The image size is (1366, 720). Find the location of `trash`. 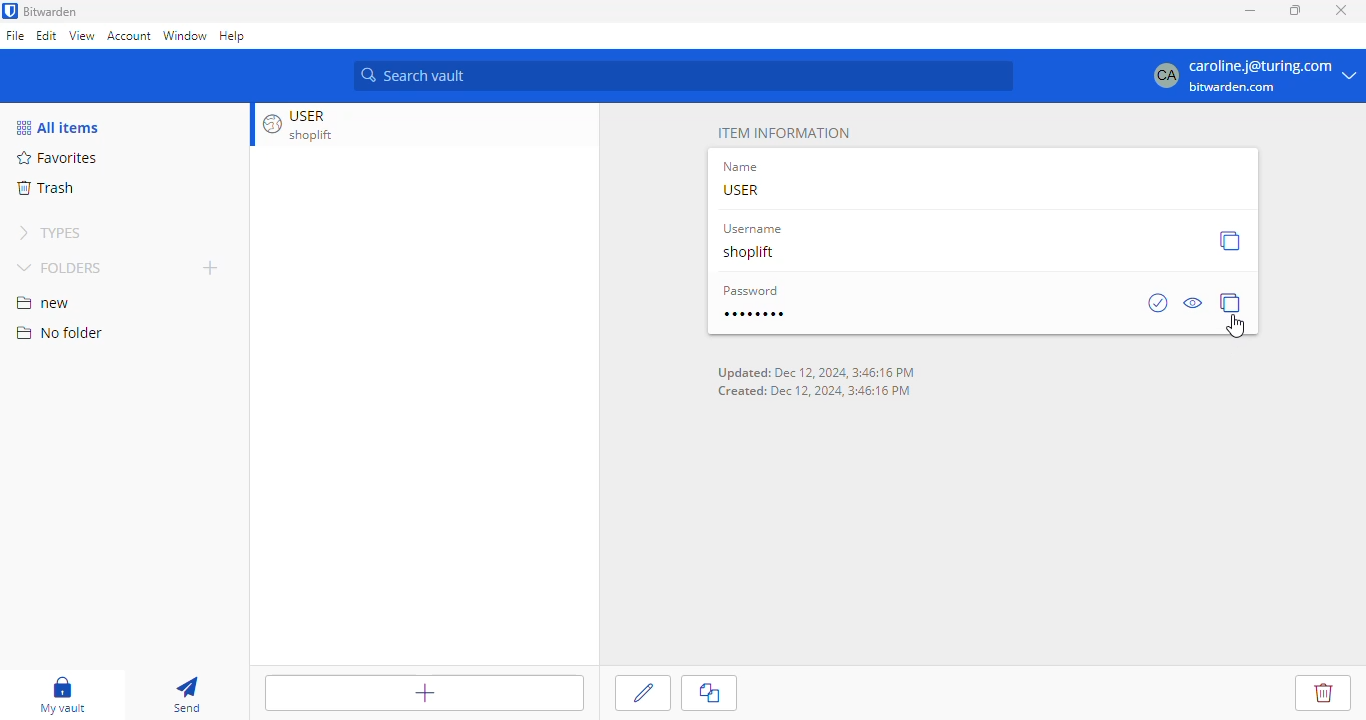

trash is located at coordinates (46, 187).